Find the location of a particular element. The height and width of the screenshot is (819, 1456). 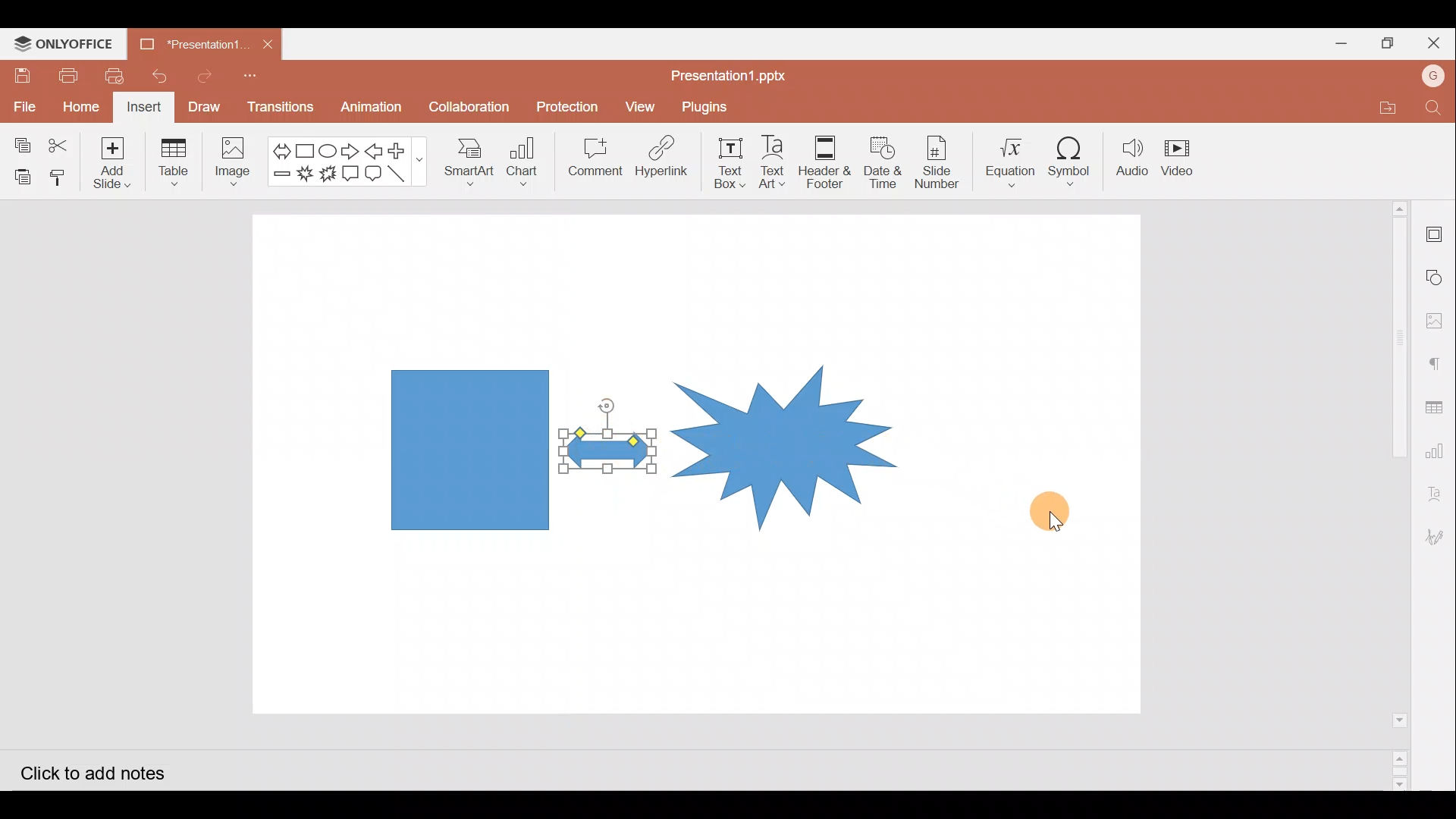

Find is located at coordinates (1433, 108).